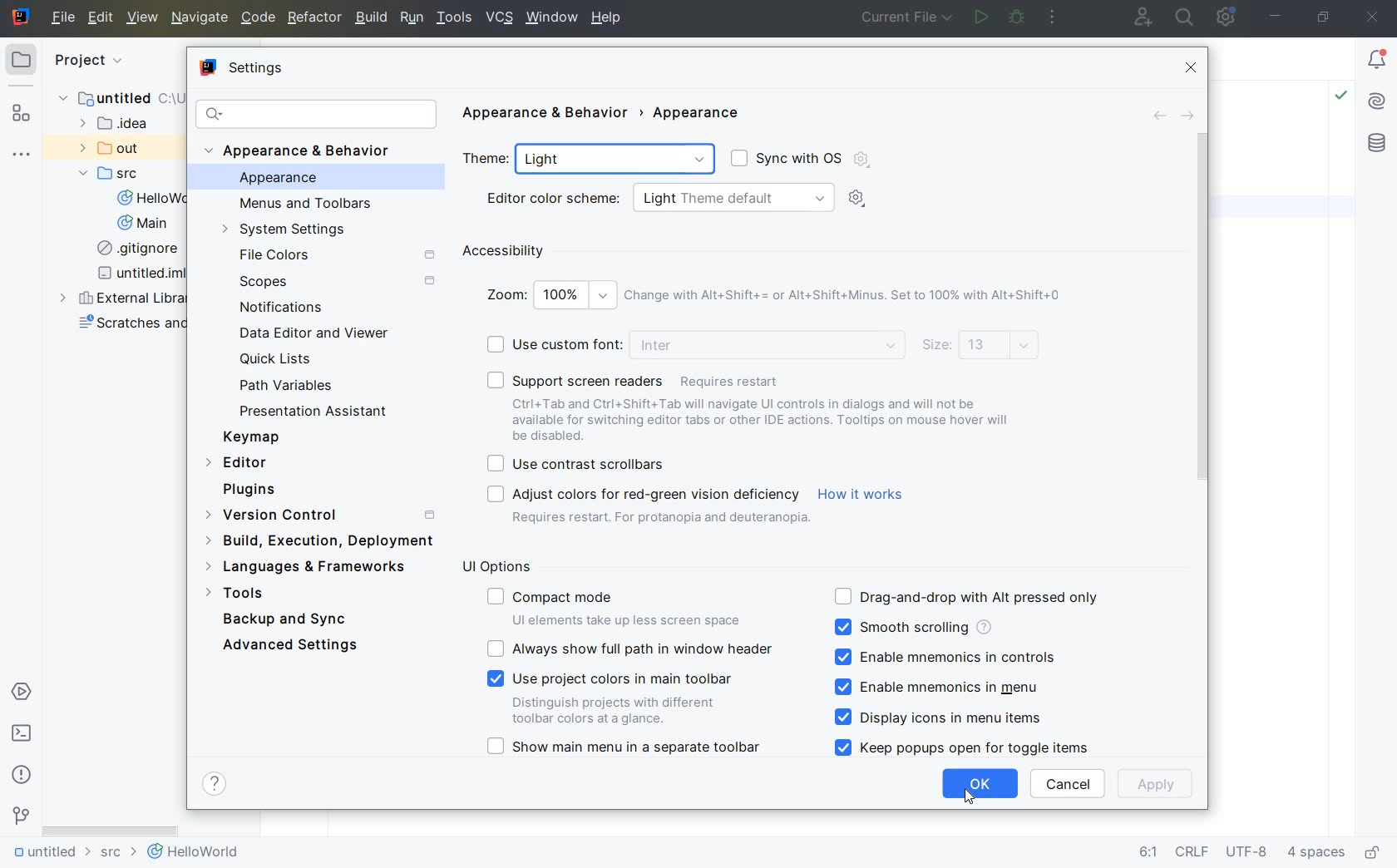 The width and height of the screenshot is (1397, 868). Describe the element at coordinates (120, 854) in the screenshot. I see `SRC` at that location.